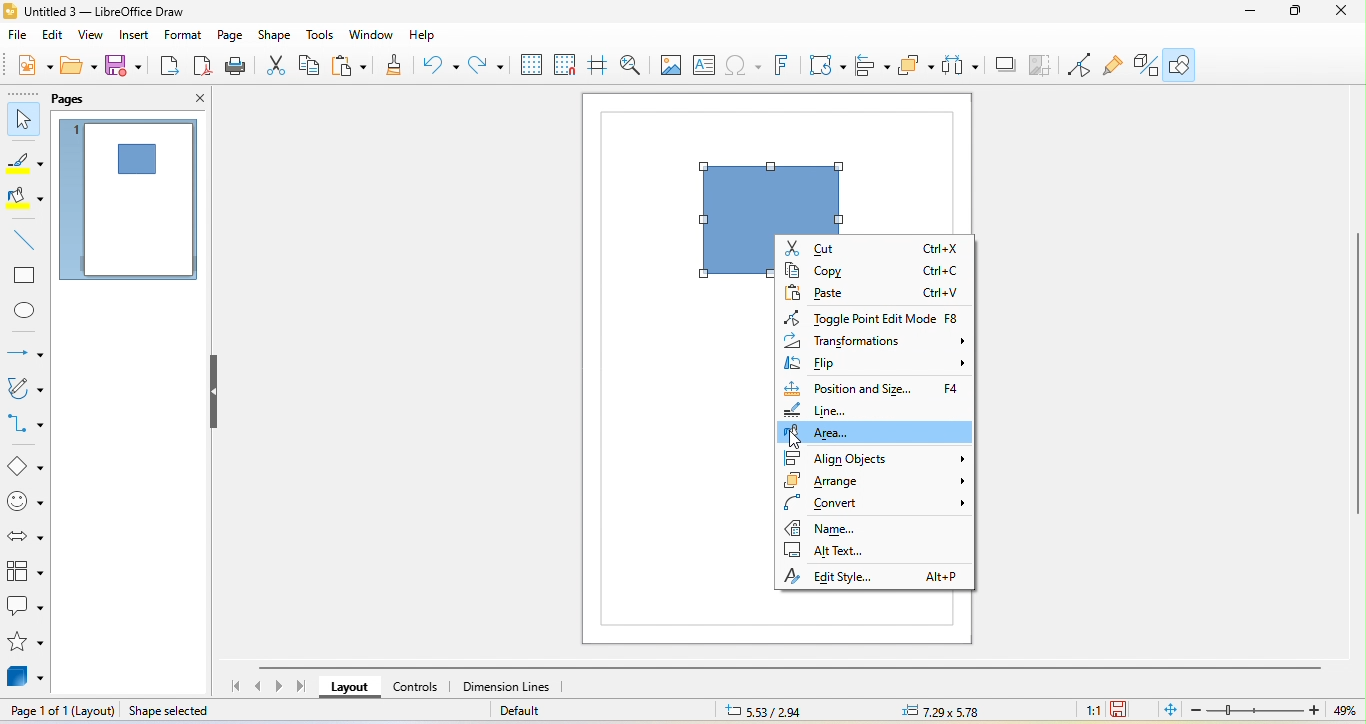 Image resolution: width=1366 pixels, height=724 pixels. I want to click on curve and polygons, so click(25, 389).